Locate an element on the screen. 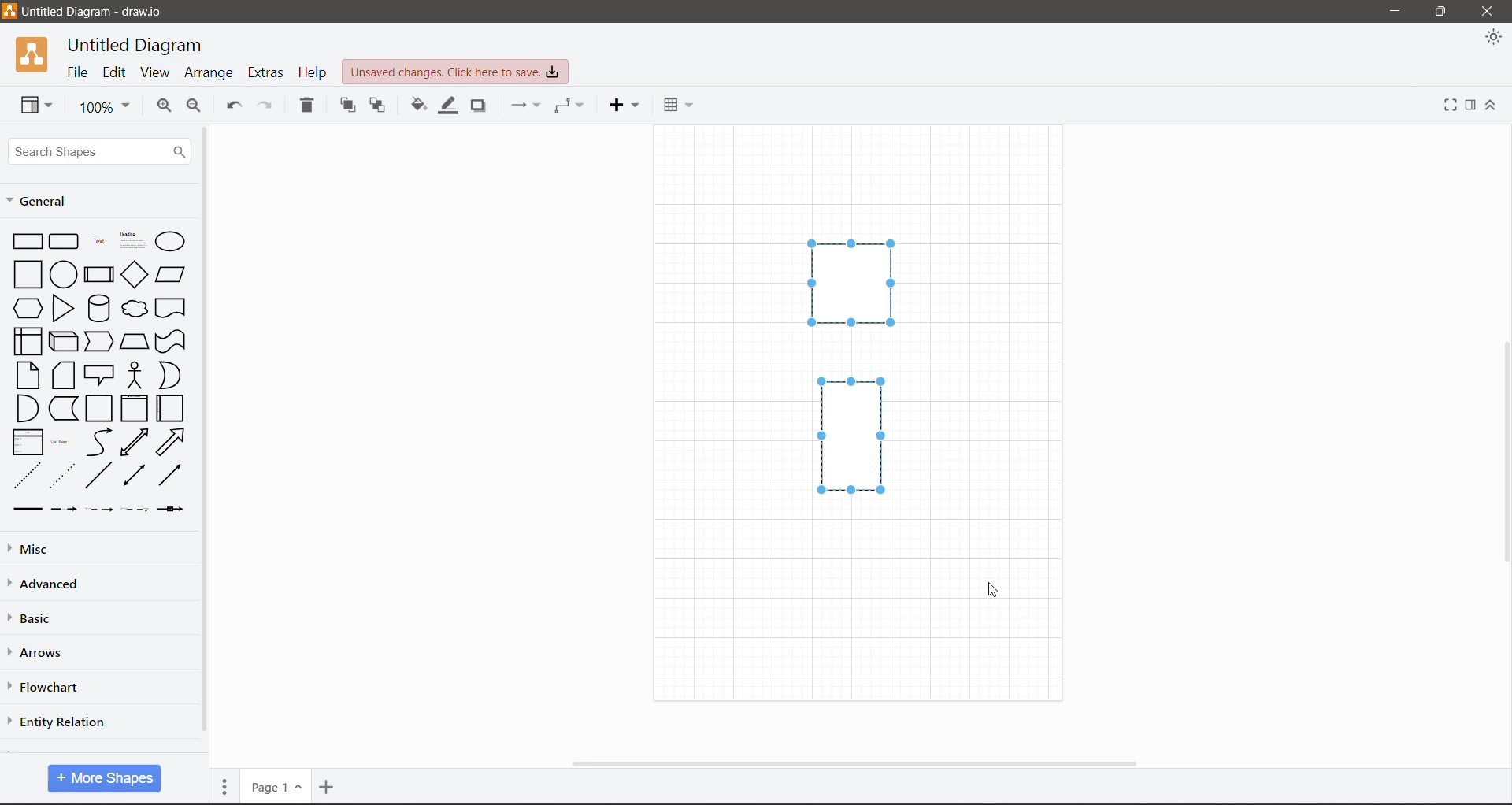 The width and height of the screenshot is (1512, 805). Cursor is located at coordinates (994, 591).